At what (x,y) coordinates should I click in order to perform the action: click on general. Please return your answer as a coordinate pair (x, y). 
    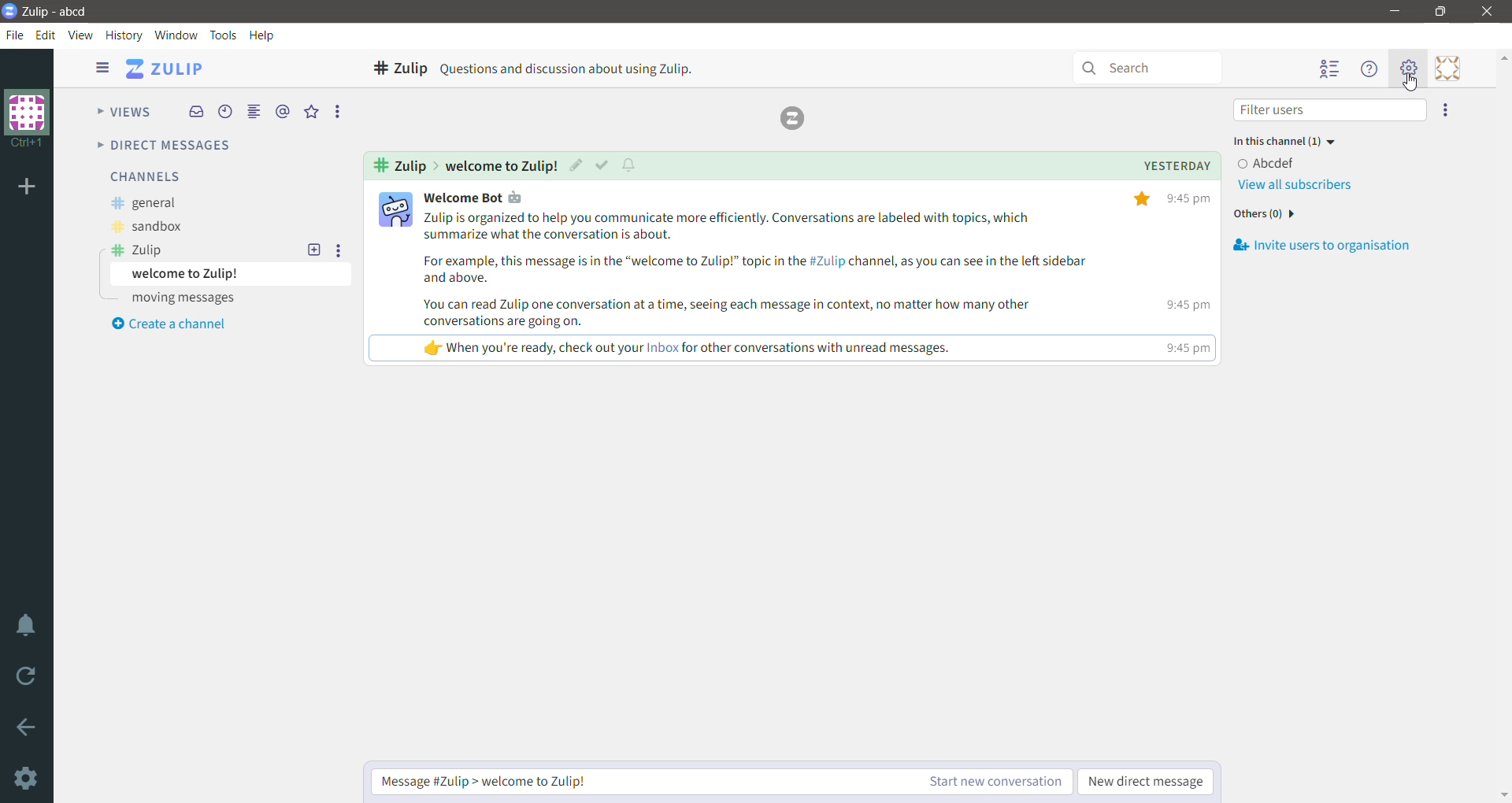
    Looking at the image, I should click on (145, 204).